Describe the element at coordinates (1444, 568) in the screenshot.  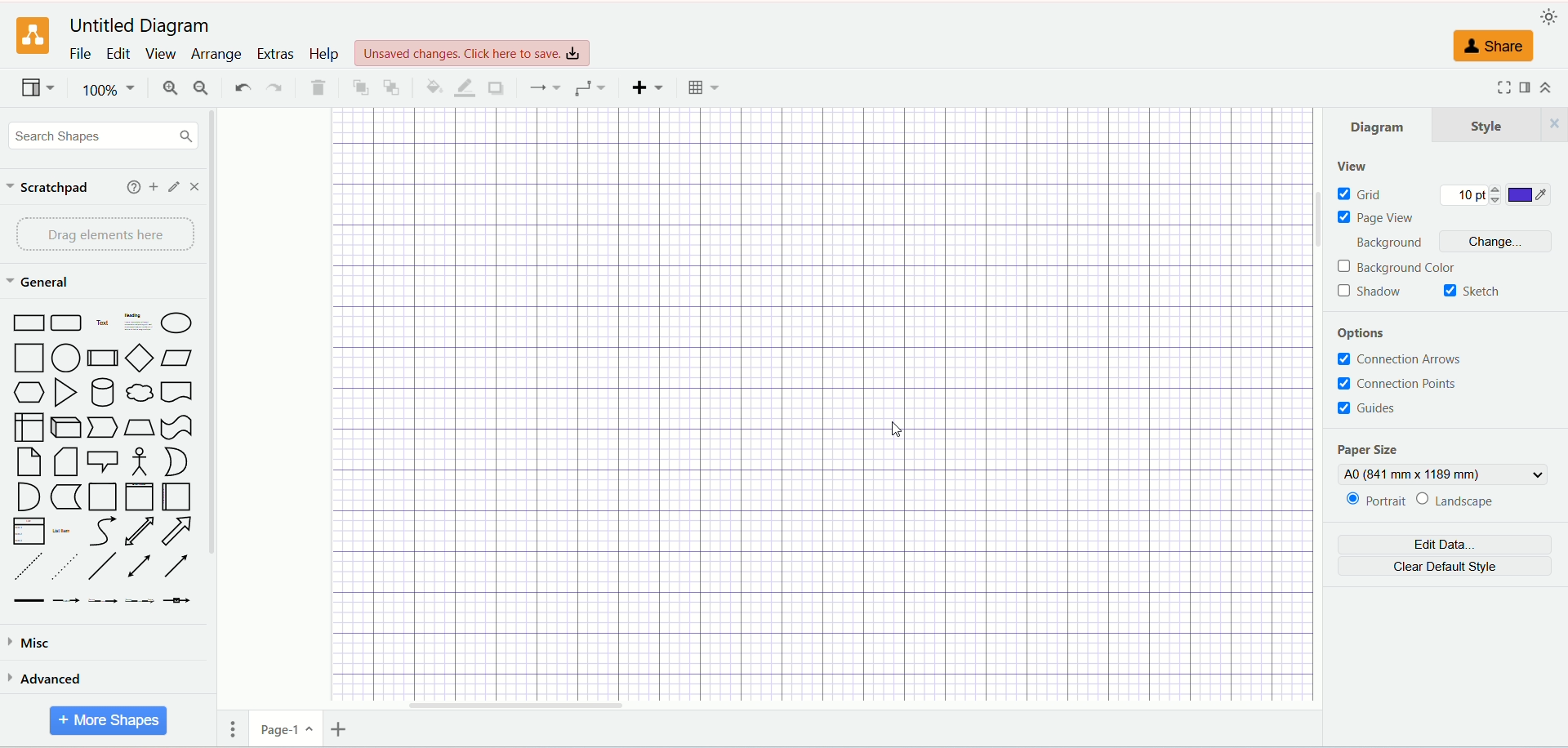
I see `clear default style` at that location.